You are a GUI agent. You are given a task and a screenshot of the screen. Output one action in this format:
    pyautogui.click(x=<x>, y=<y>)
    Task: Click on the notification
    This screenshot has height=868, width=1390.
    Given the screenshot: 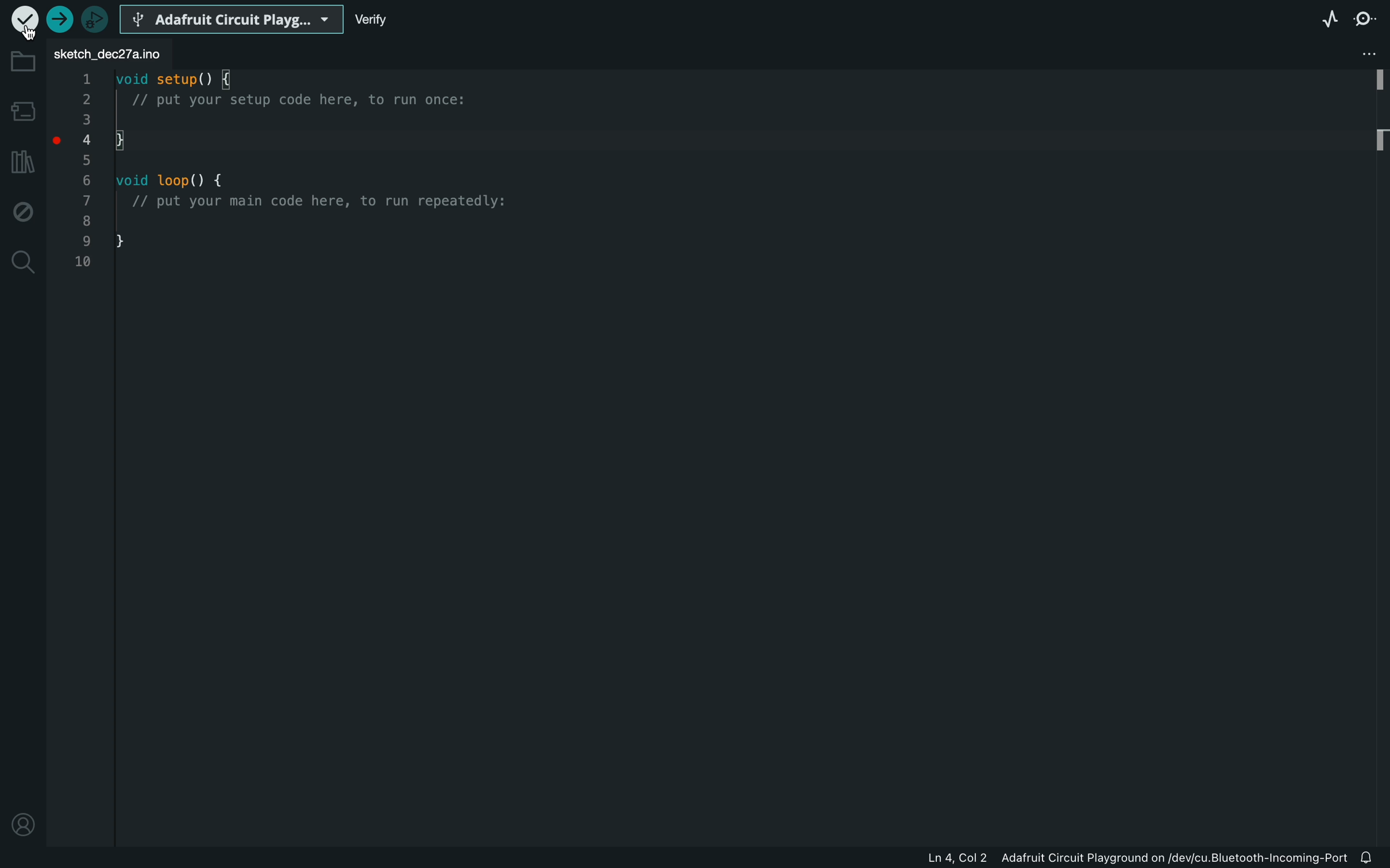 What is the action you would take?
    pyautogui.click(x=1372, y=859)
    